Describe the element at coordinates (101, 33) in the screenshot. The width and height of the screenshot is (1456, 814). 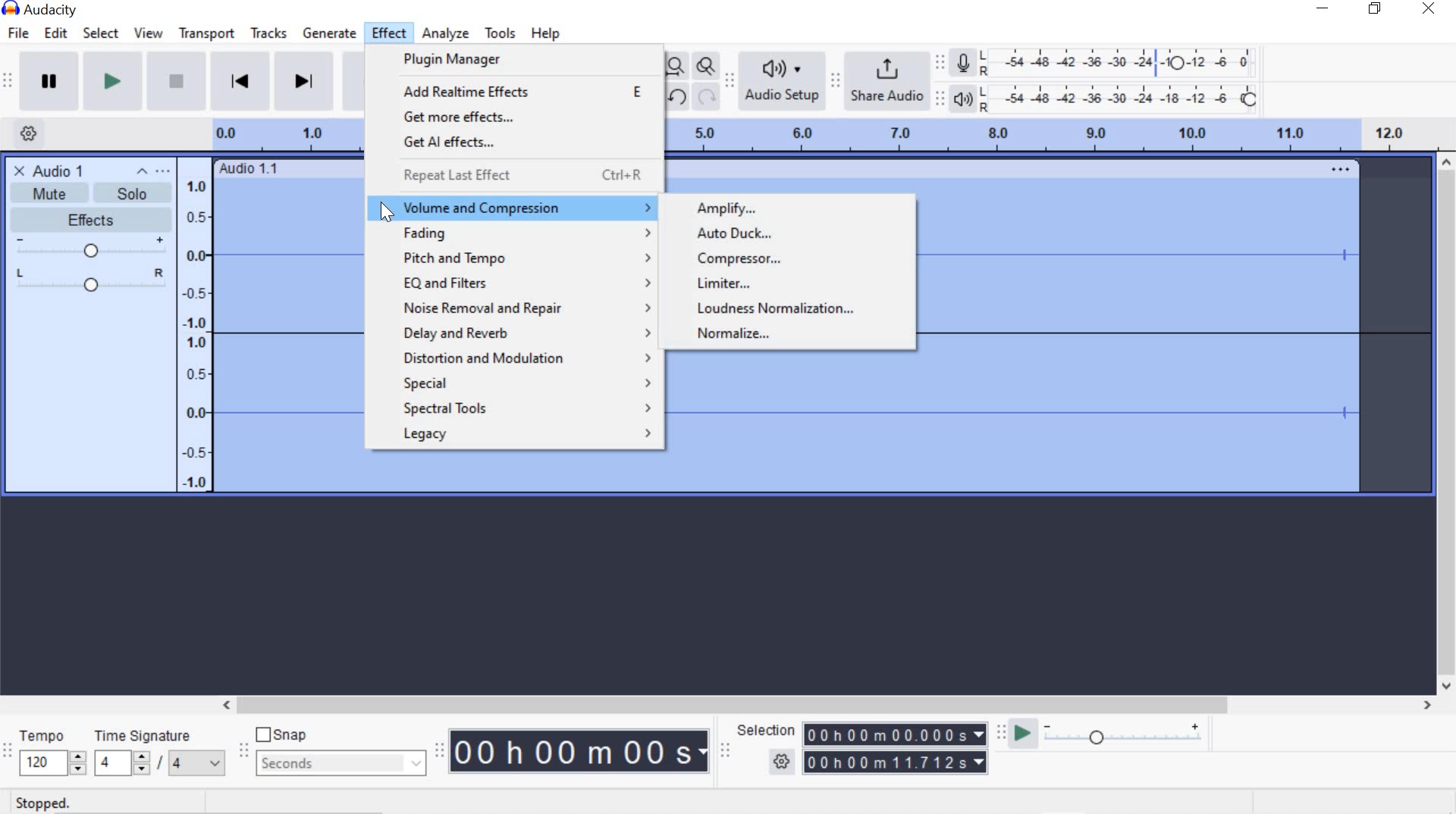
I see `select` at that location.